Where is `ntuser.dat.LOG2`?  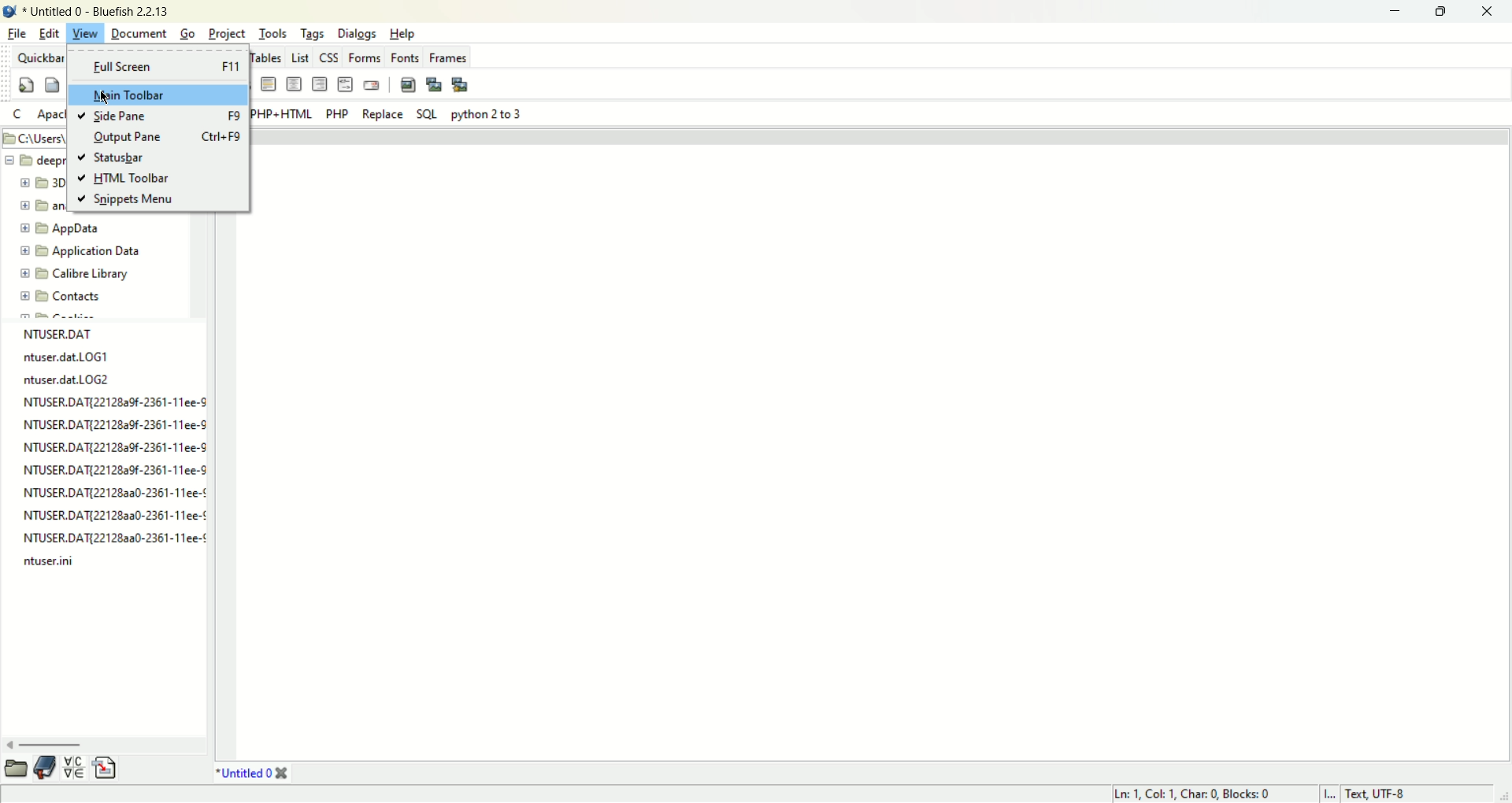 ntuser.dat.LOG2 is located at coordinates (68, 379).